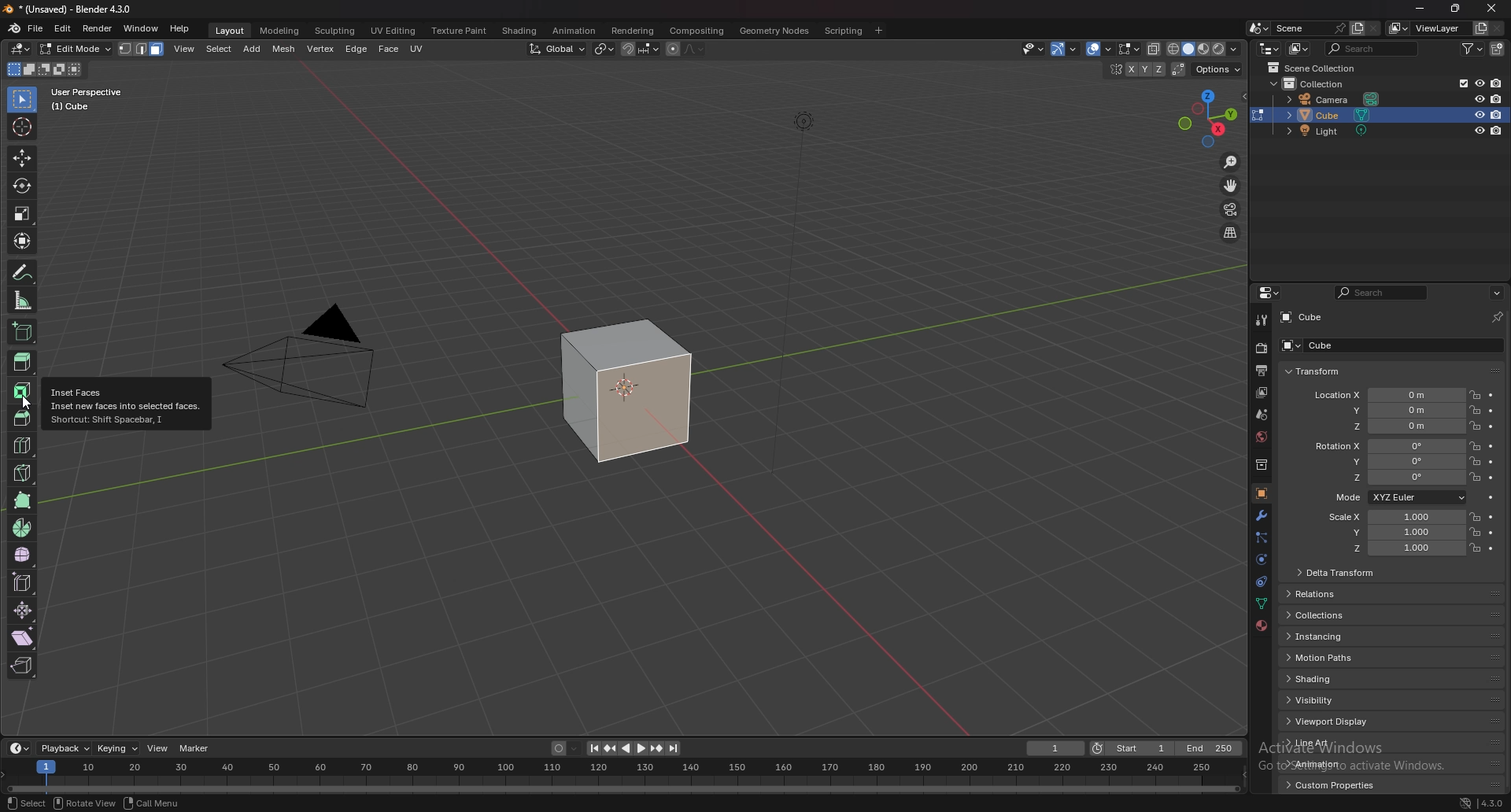  Describe the element at coordinates (1129, 48) in the screenshot. I see `mesh edit mode` at that location.